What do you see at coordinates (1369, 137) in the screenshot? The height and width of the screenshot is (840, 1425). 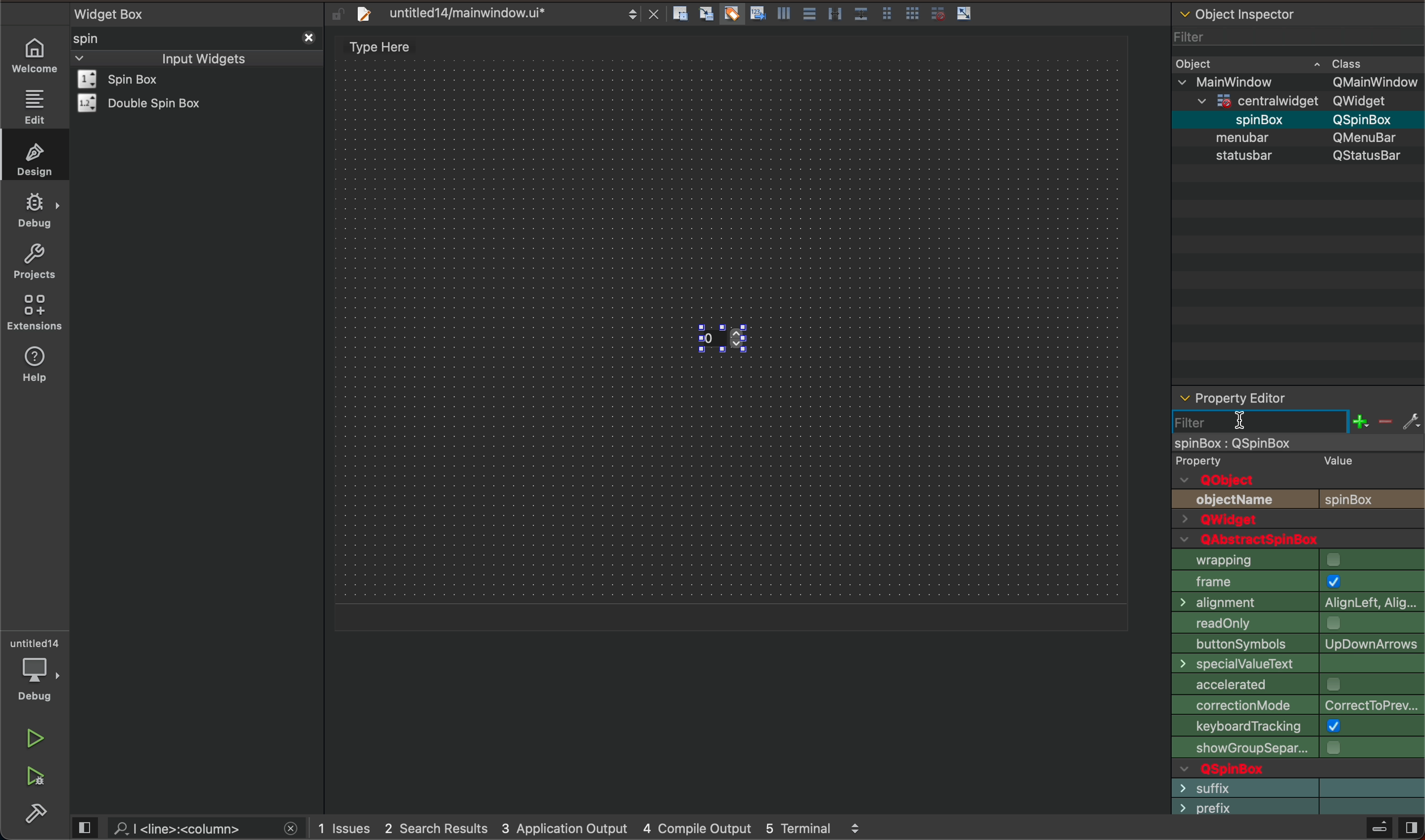 I see `` at bounding box center [1369, 137].